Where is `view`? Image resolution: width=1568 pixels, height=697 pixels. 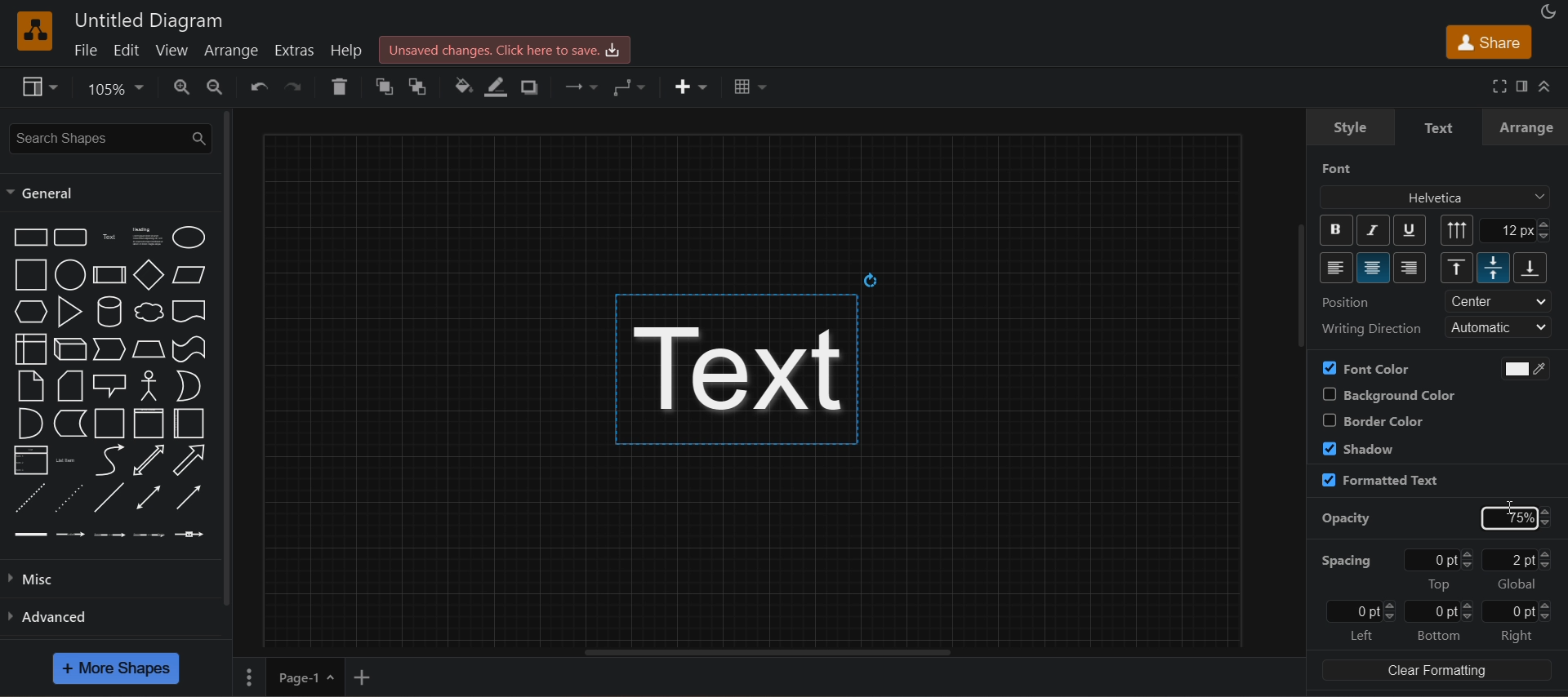
view is located at coordinates (170, 49).